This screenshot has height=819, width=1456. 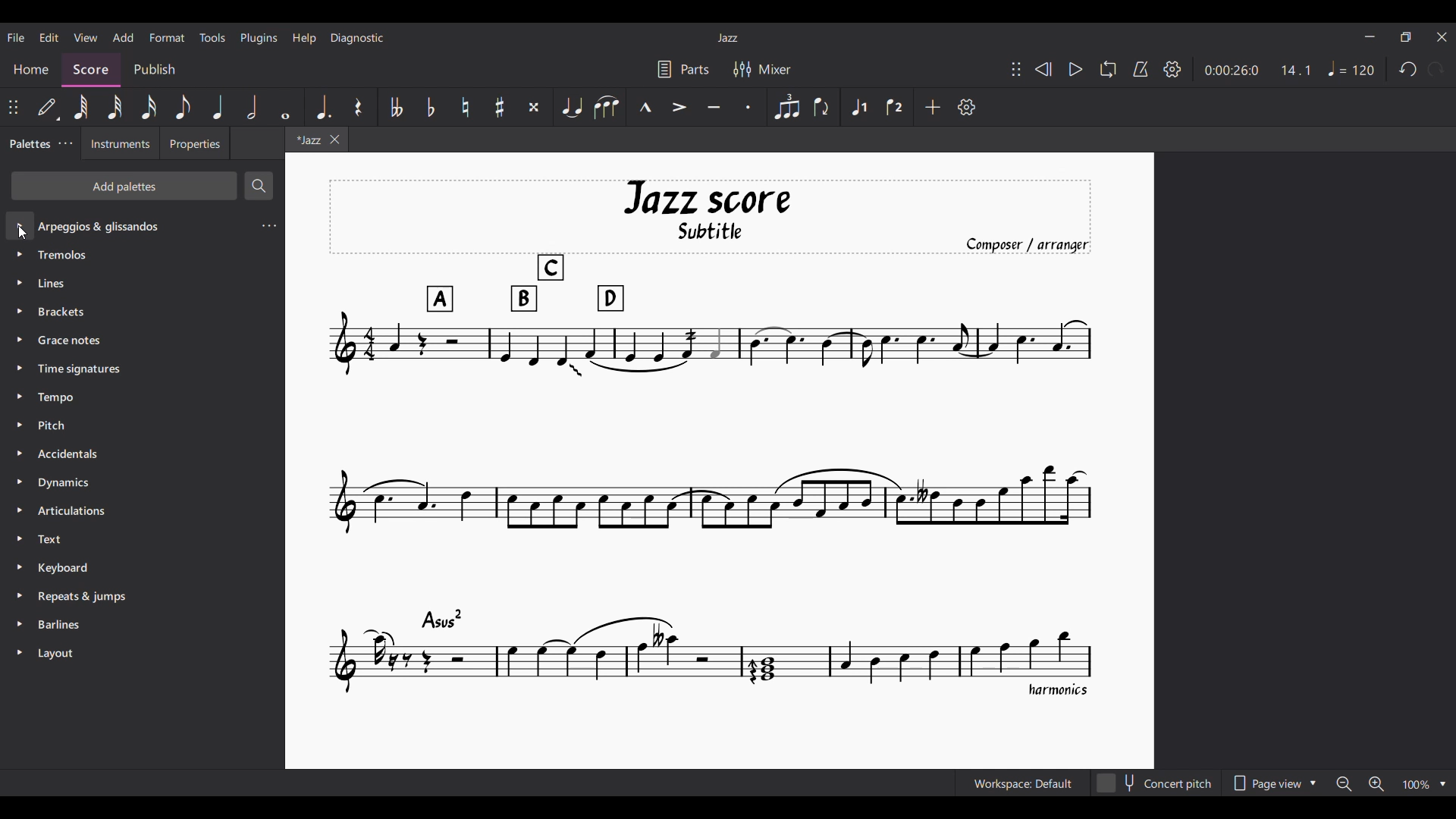 I want to click on Toggle flat, so click(x=431, y=107).